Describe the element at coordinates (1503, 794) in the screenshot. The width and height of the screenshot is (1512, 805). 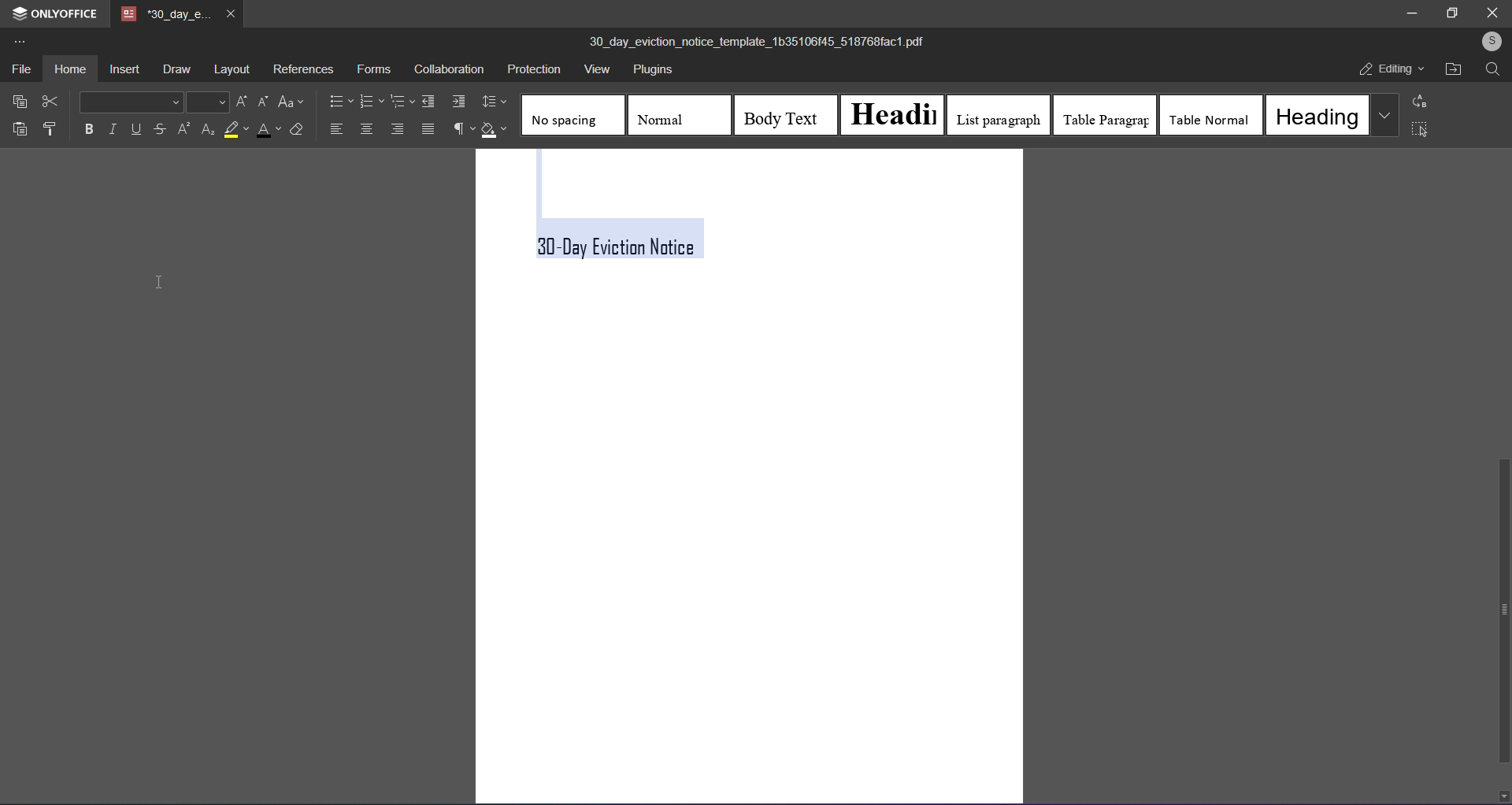
I see `down` at that location.